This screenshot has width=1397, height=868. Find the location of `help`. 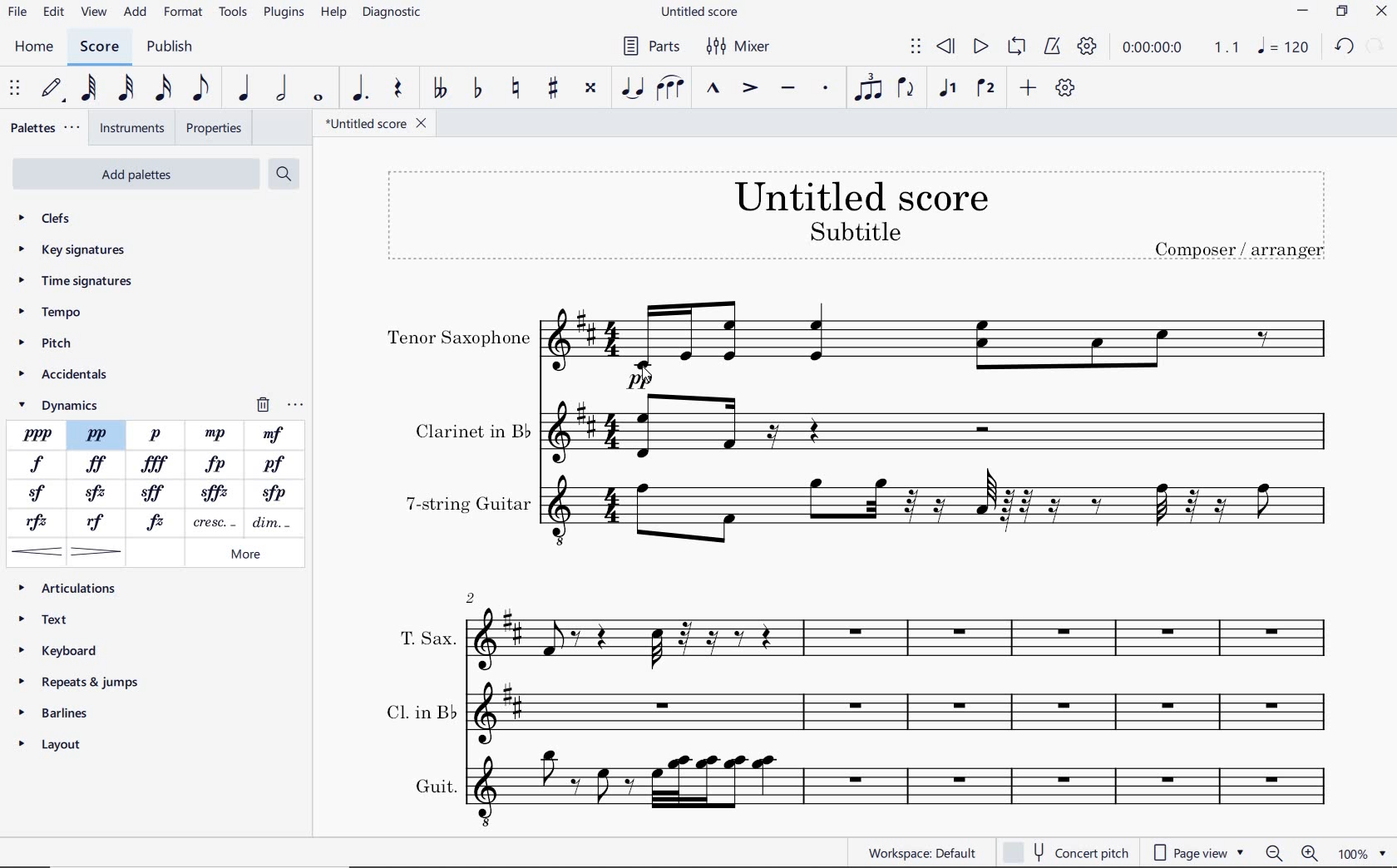

help is located at coordinates (332, 14).